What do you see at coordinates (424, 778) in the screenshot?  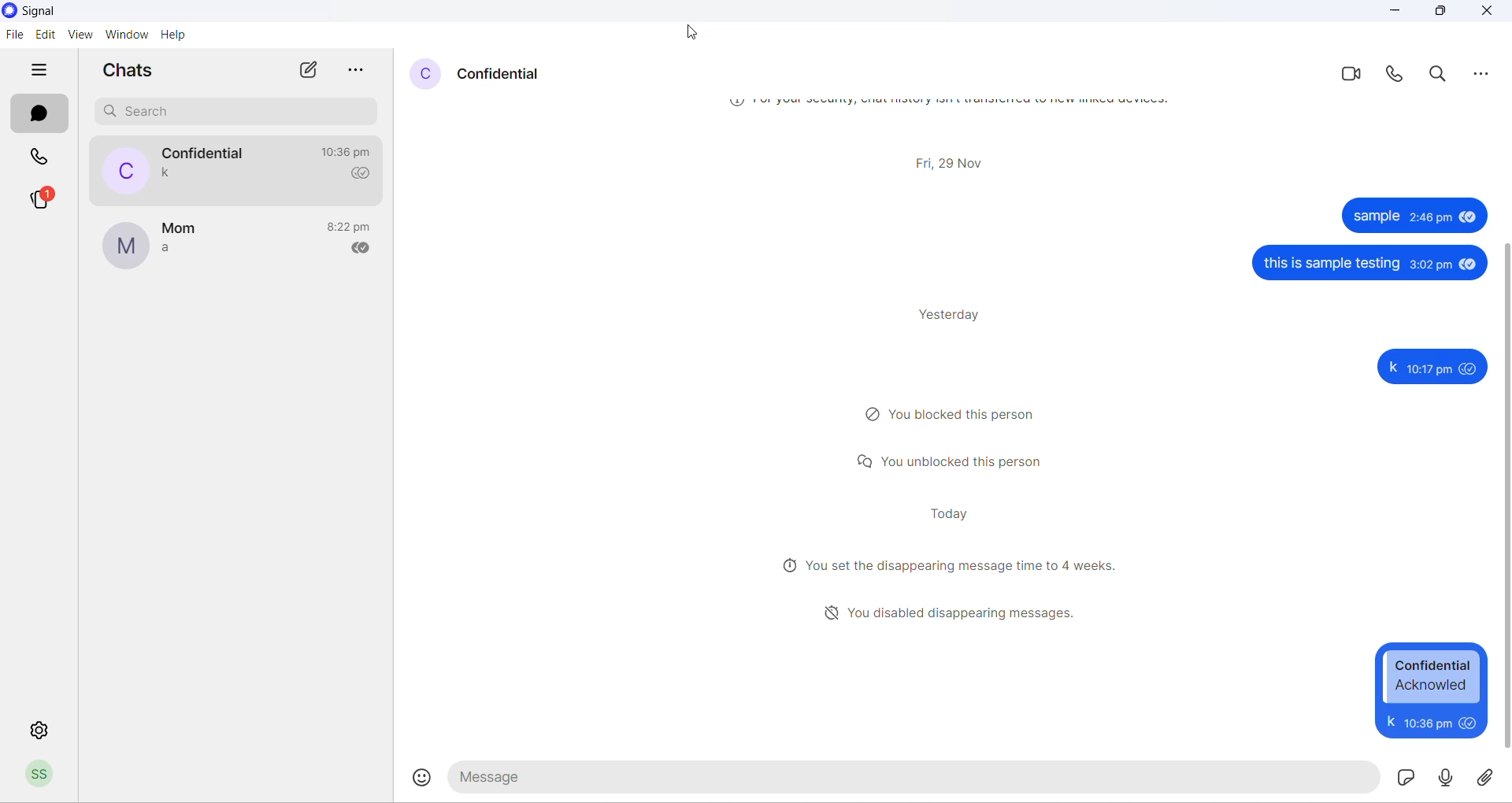 I see `emojis` at bounding box center [424, 778].